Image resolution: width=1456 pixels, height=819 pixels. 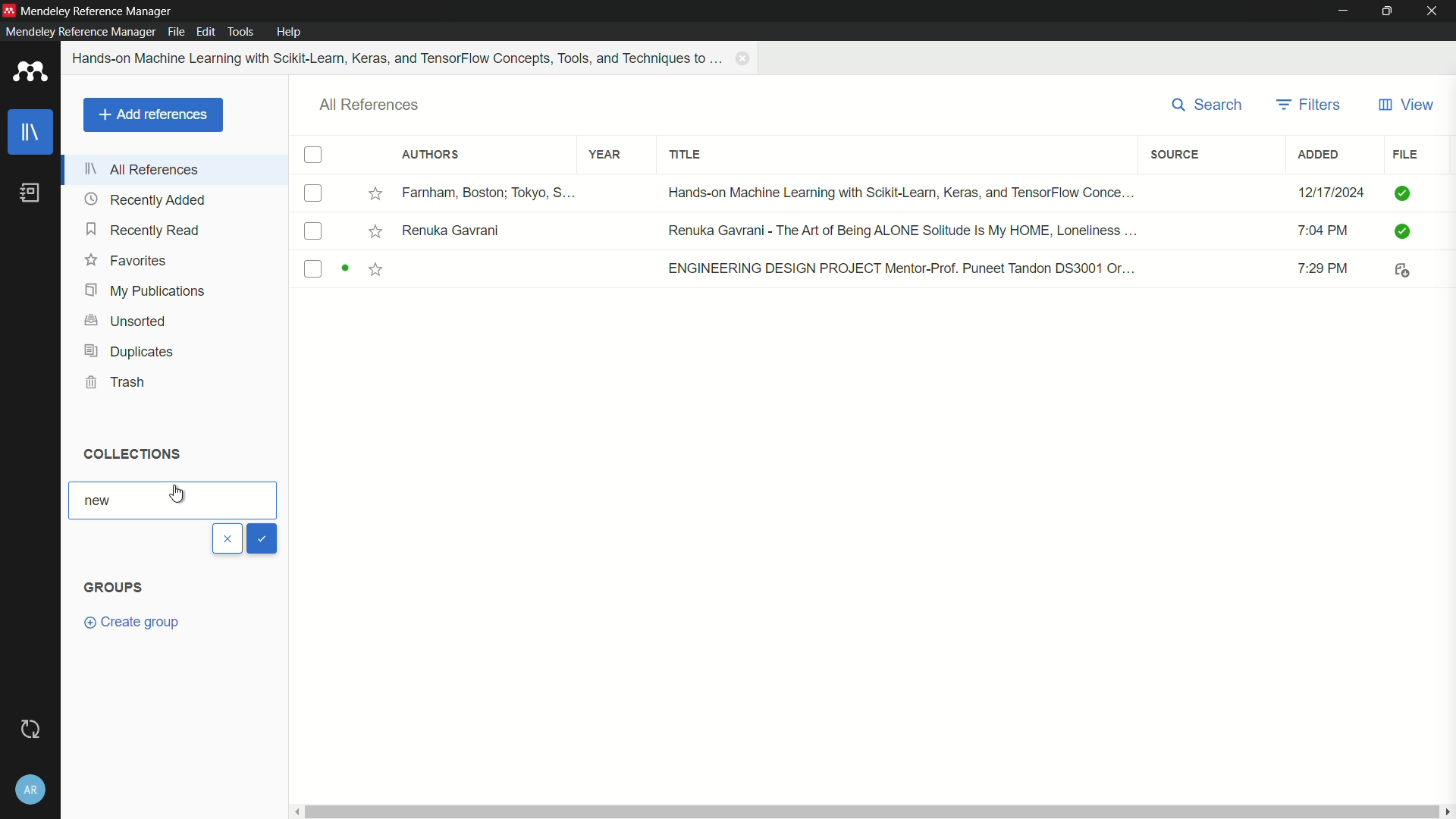 I want to click on recently added, so click(x=145, y=199).